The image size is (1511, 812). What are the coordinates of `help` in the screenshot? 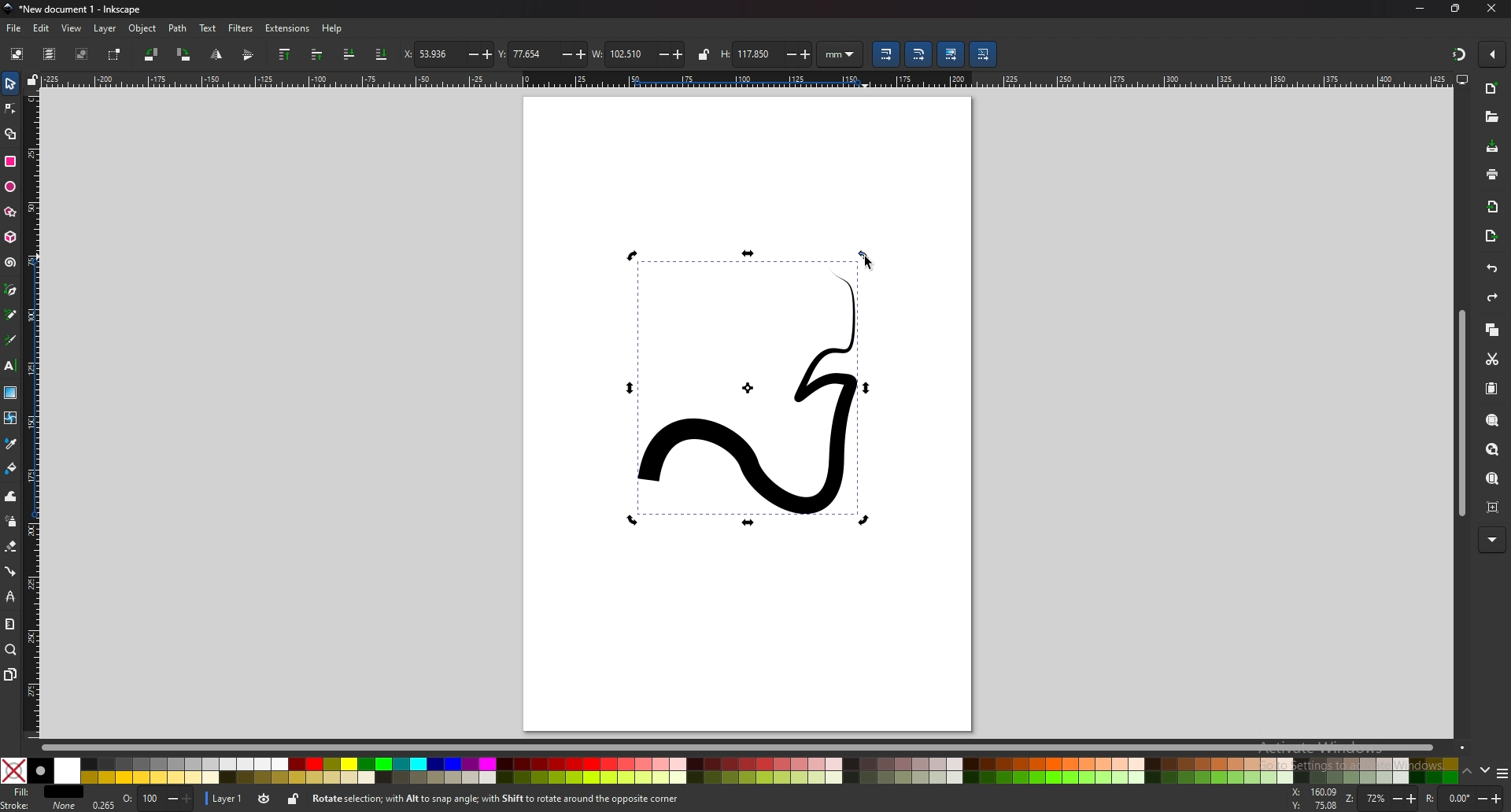 It's located at (332, 30).